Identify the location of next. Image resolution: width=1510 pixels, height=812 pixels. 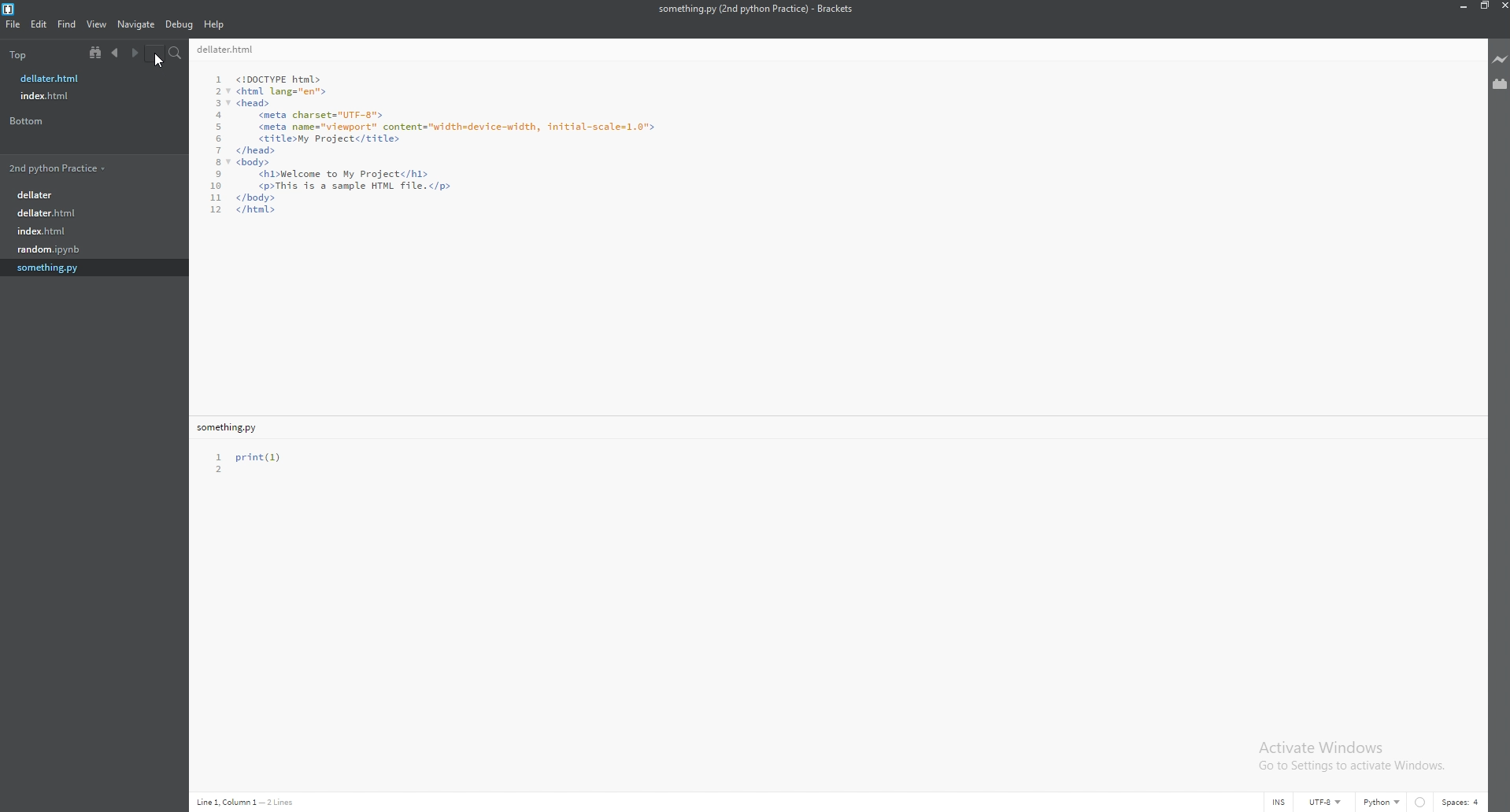
(133, 53).